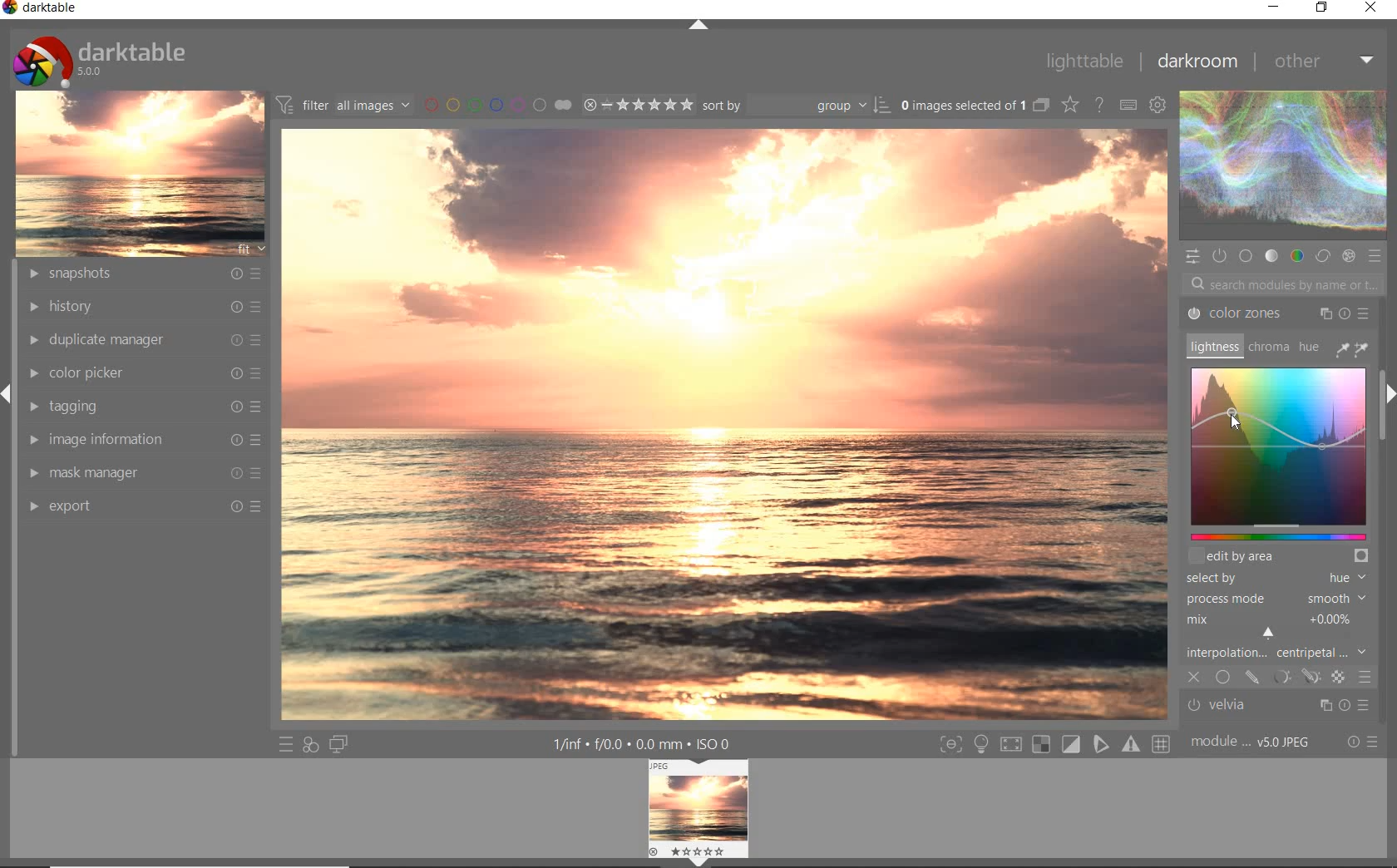 The height and width of the screenshot is (868, 1397). What do you see at coordinates (1277, 452) in the screenshot?
I see `COLOR ZONES MAP` at bounding box center [1277, 452].